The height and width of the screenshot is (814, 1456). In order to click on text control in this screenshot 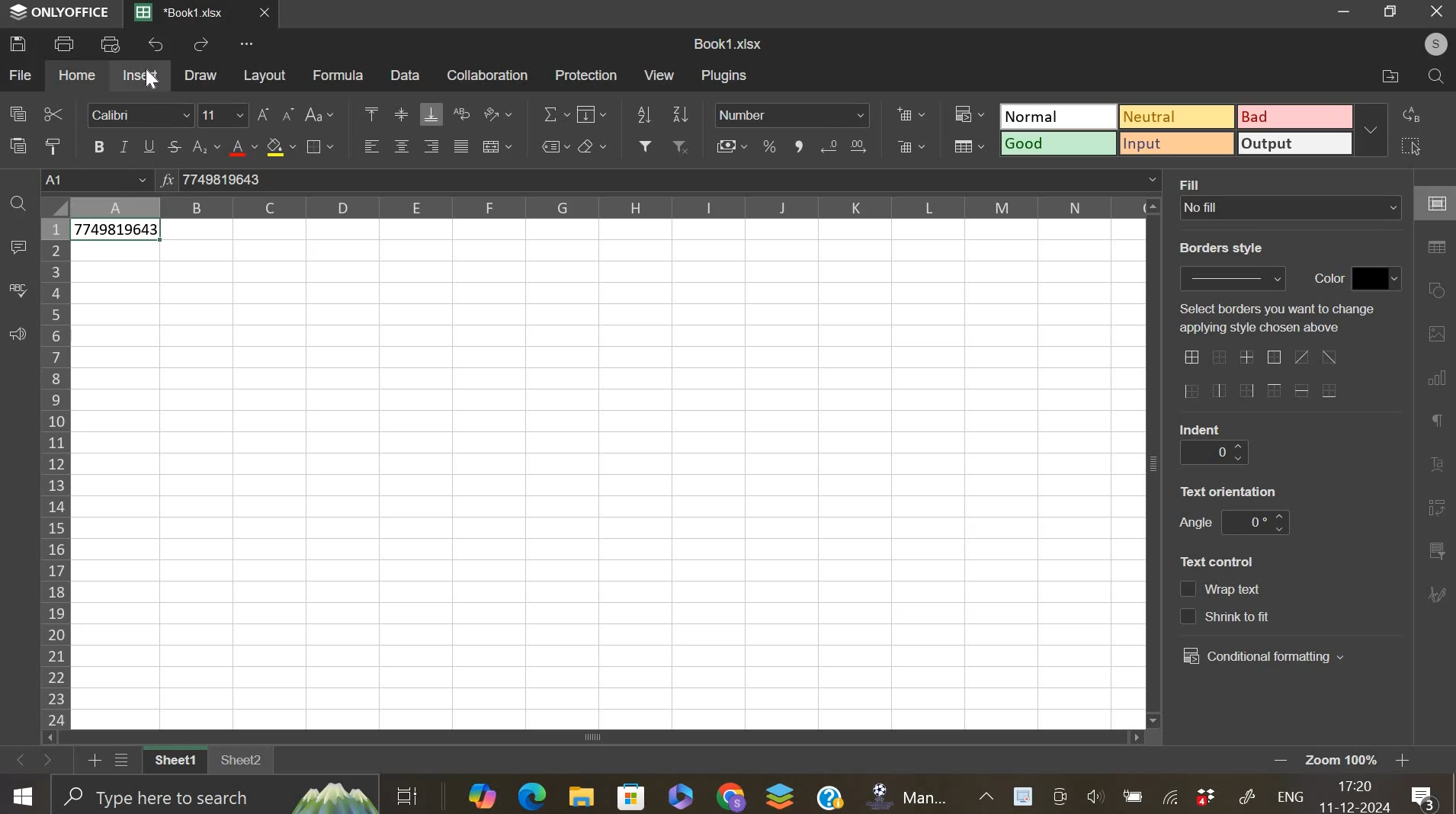, I will do `click(1226, 603)`.